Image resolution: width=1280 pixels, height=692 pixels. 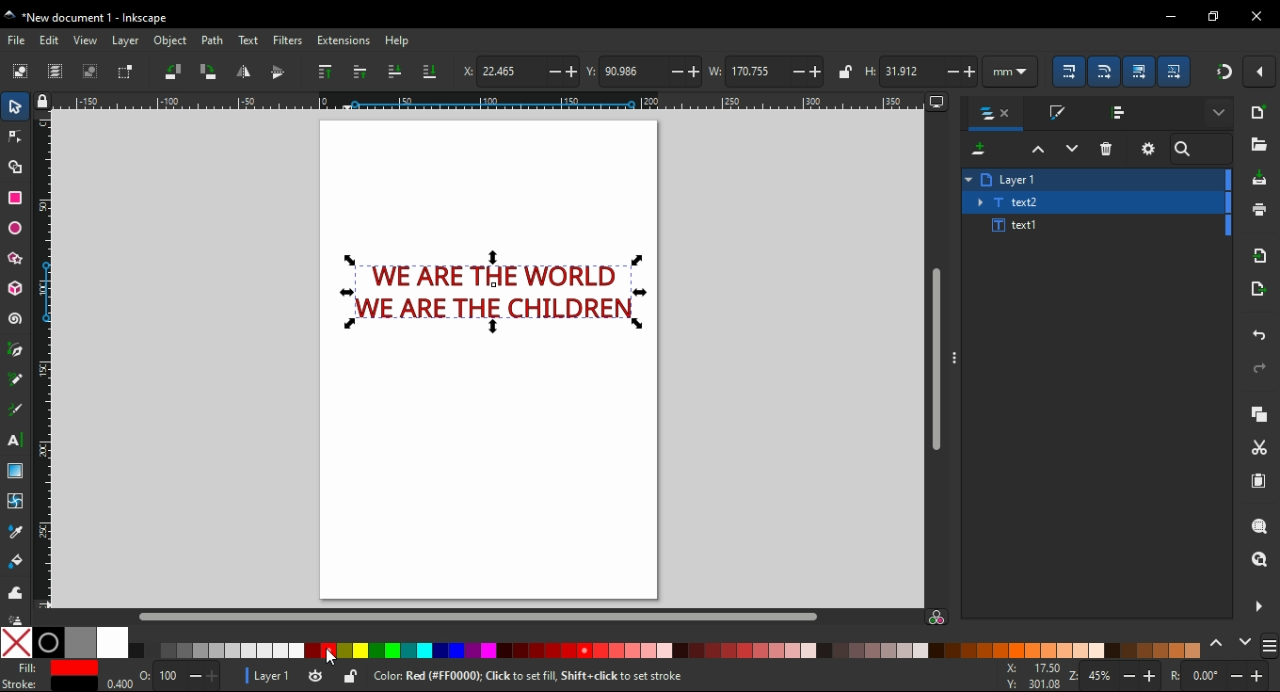 I want to click on more settings, so click(x=1218, y=113).